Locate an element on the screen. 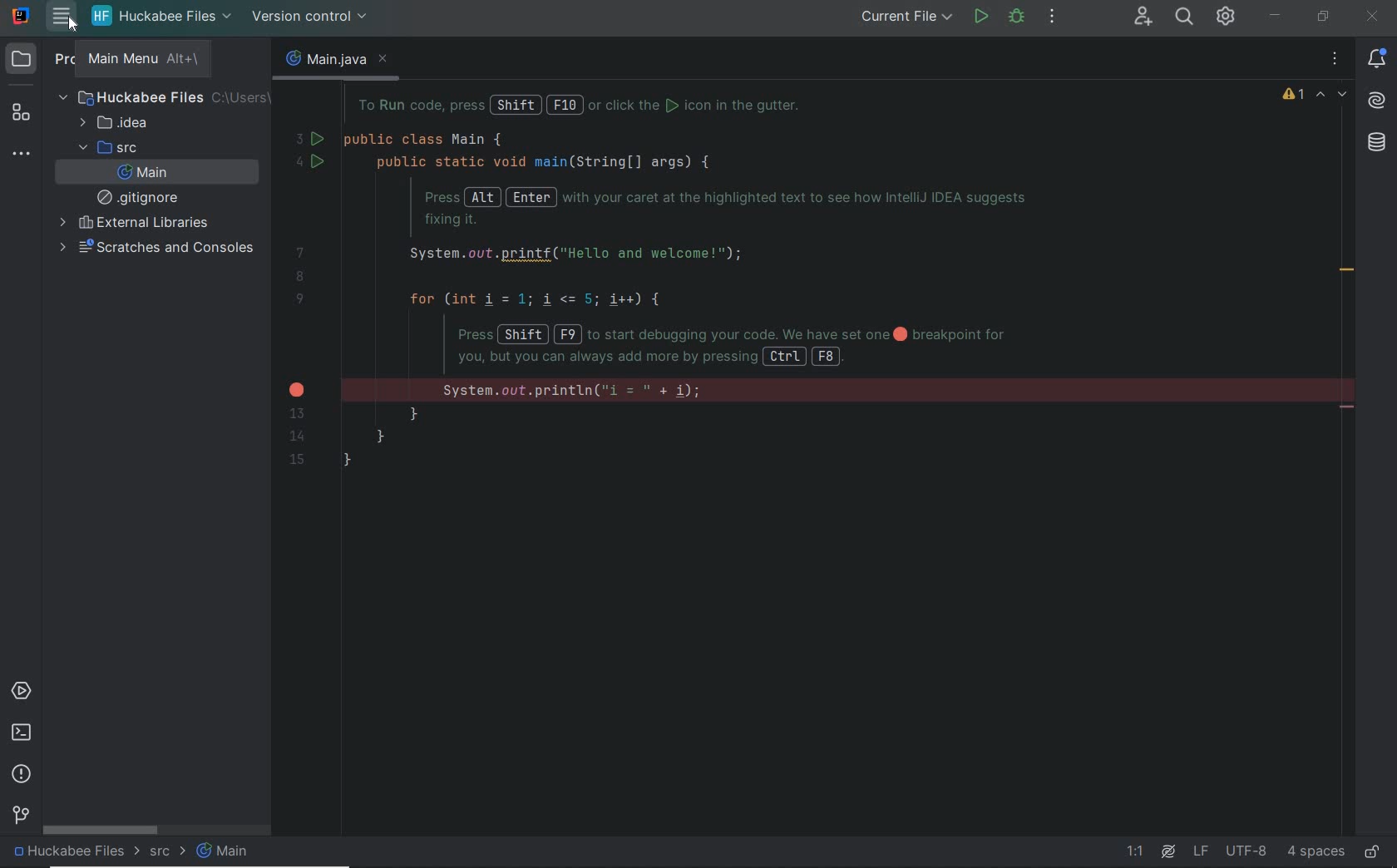  RESTORE DOWN is located at coordinates (1319, 16).